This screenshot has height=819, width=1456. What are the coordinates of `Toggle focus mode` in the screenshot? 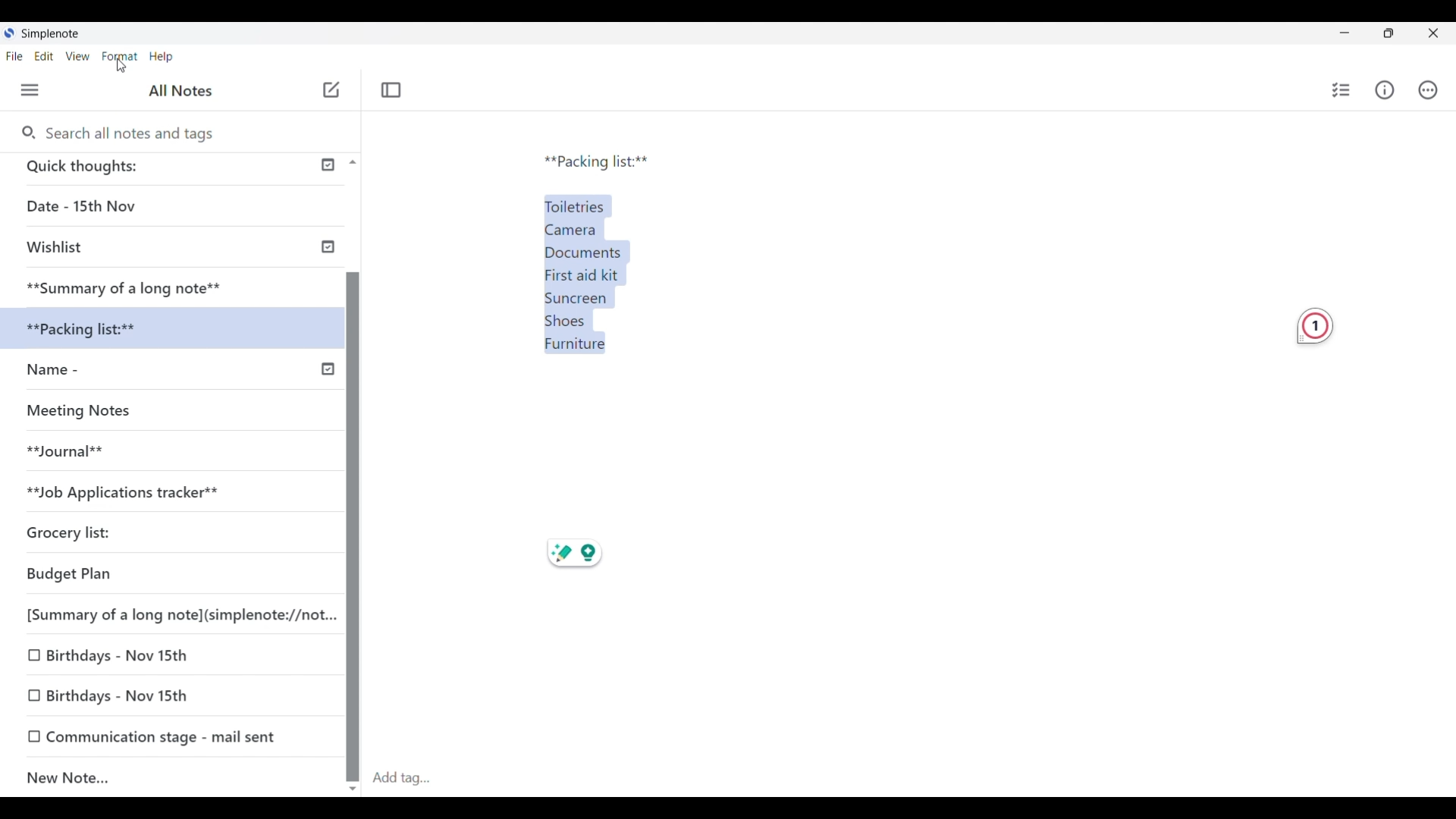 It's located at (391, 89).